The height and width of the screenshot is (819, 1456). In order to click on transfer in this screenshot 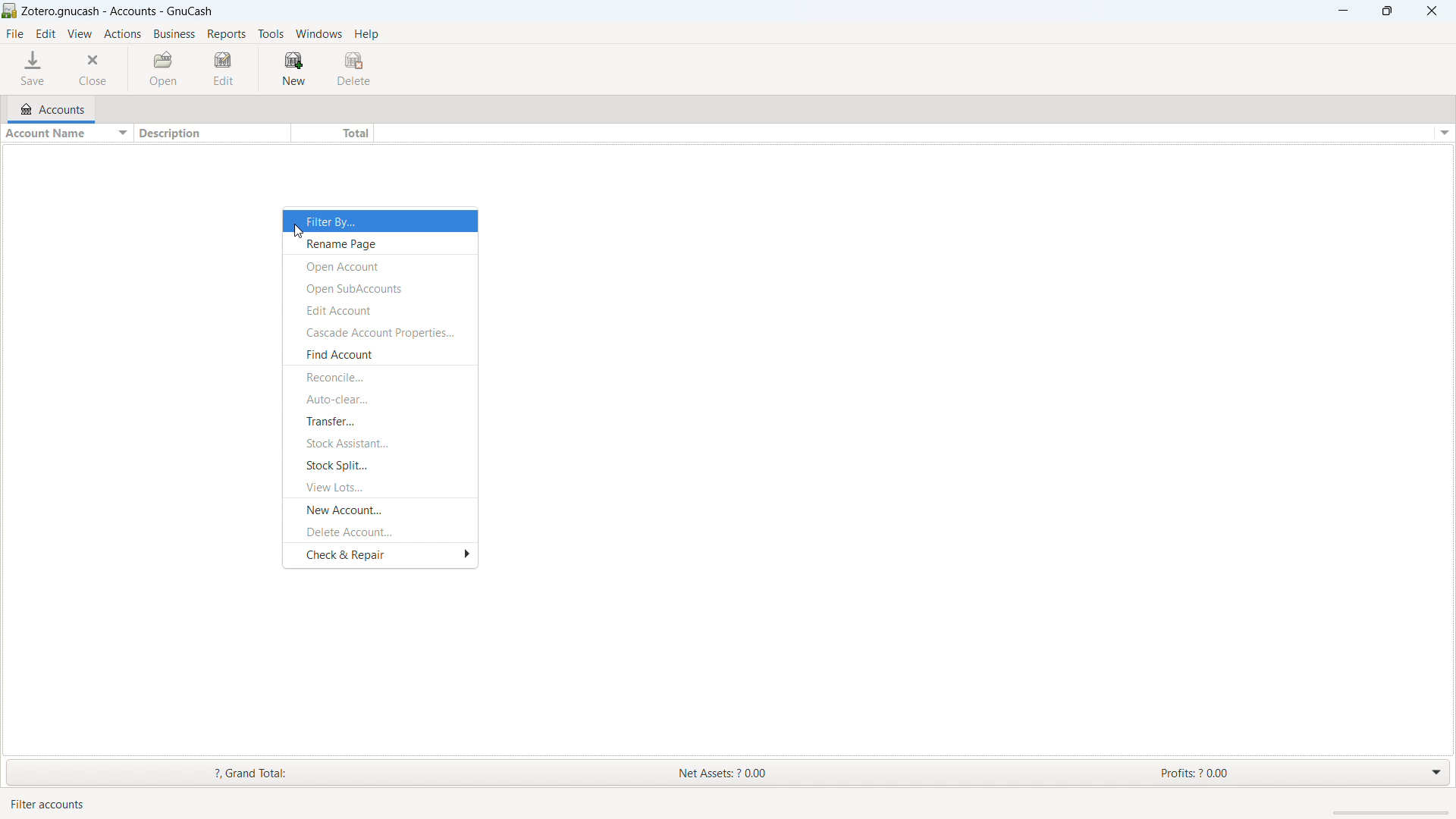, I will do `click(378, 421)`.